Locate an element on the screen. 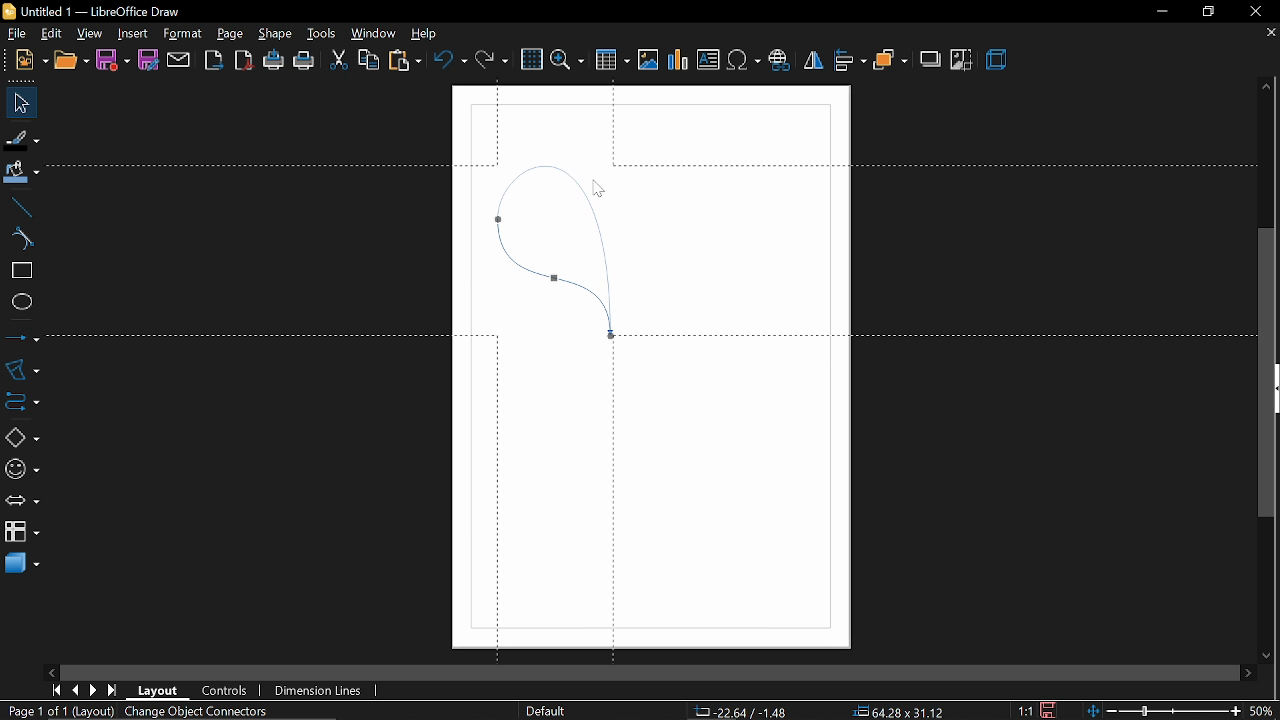  move down is located at coordinates (1269, 653).